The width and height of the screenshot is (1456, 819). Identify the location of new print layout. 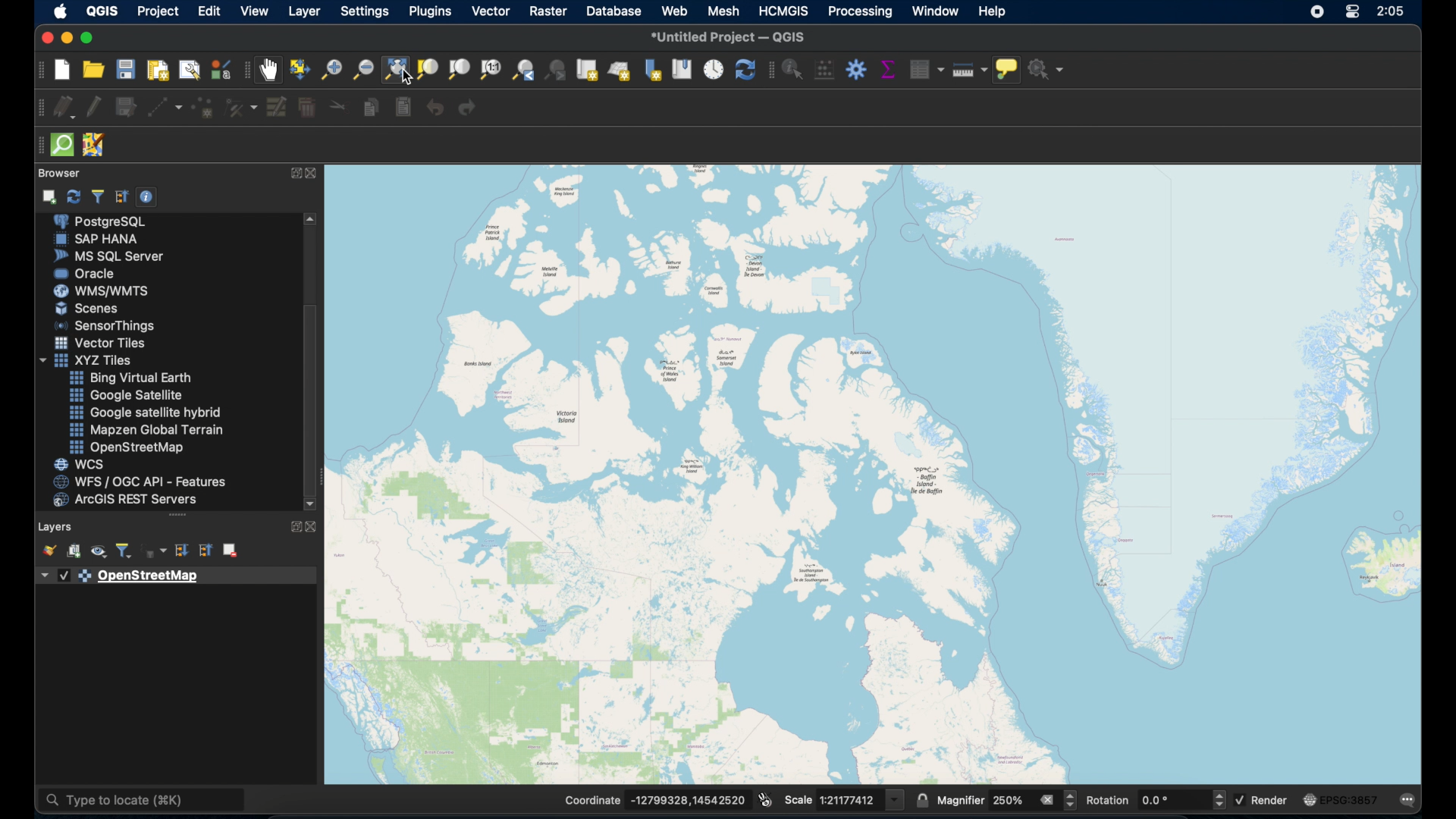
(156, 68).